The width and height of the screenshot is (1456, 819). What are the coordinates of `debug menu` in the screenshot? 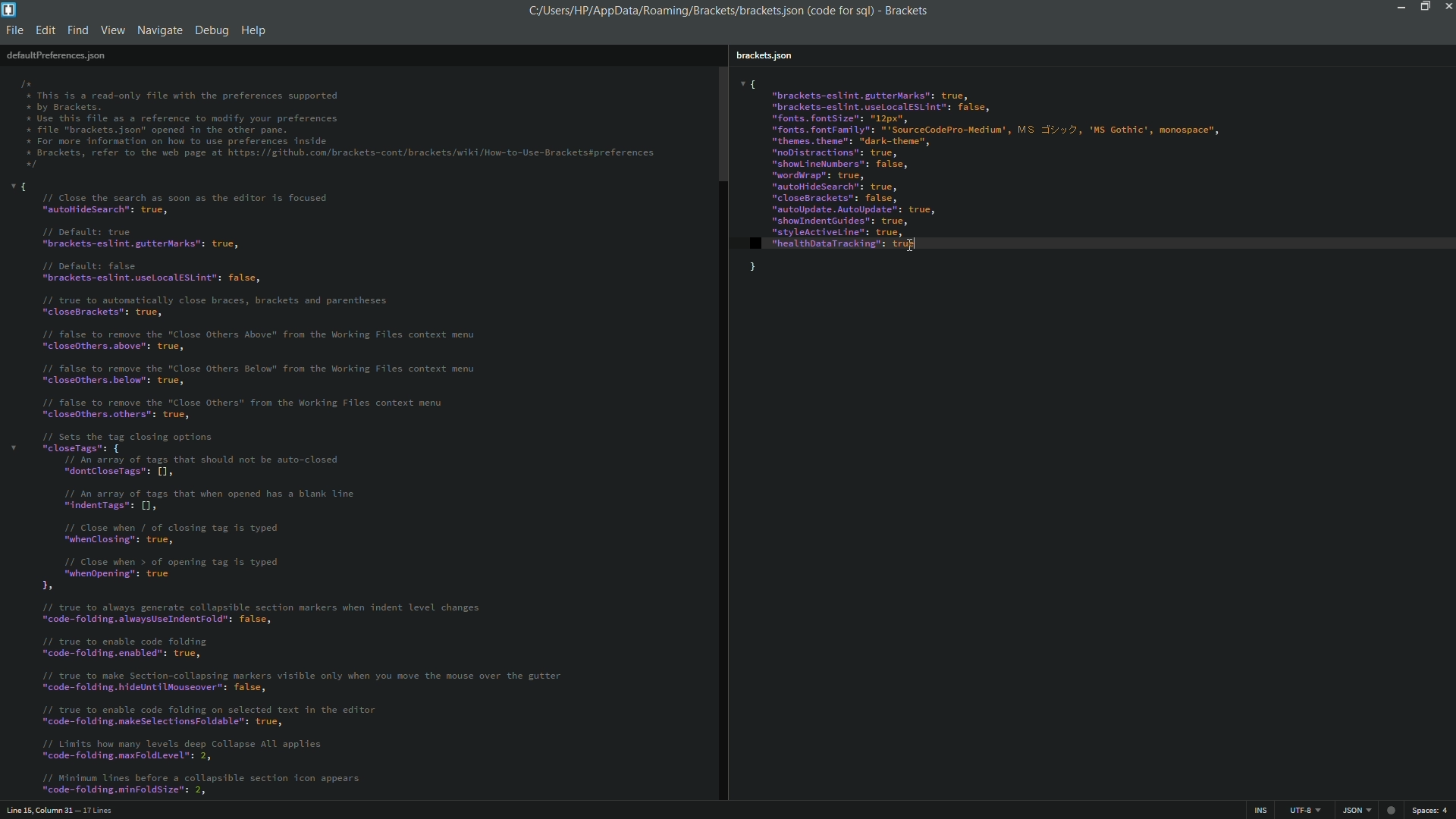 It's located at (211, 30).